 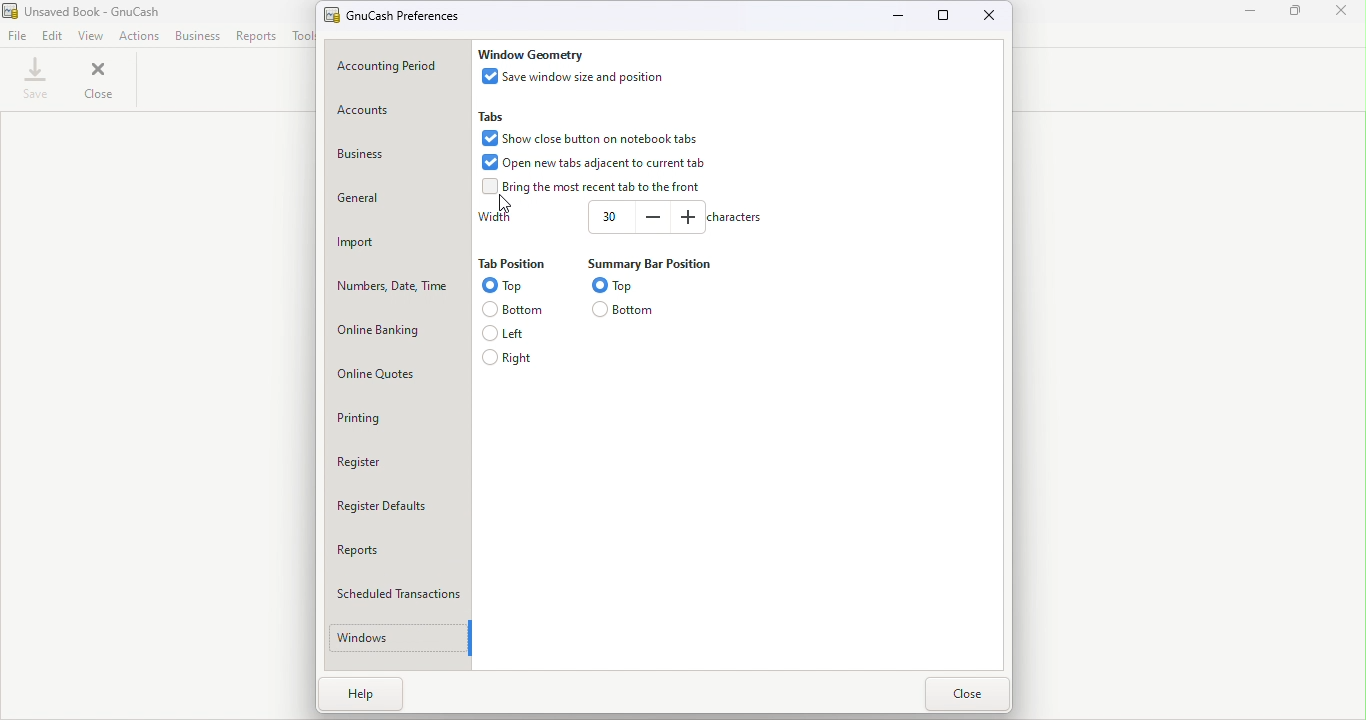 What do you see at coordinates (532, 54) in the screenshot?
I see `Window geometry` at bounding box center [532, 54].